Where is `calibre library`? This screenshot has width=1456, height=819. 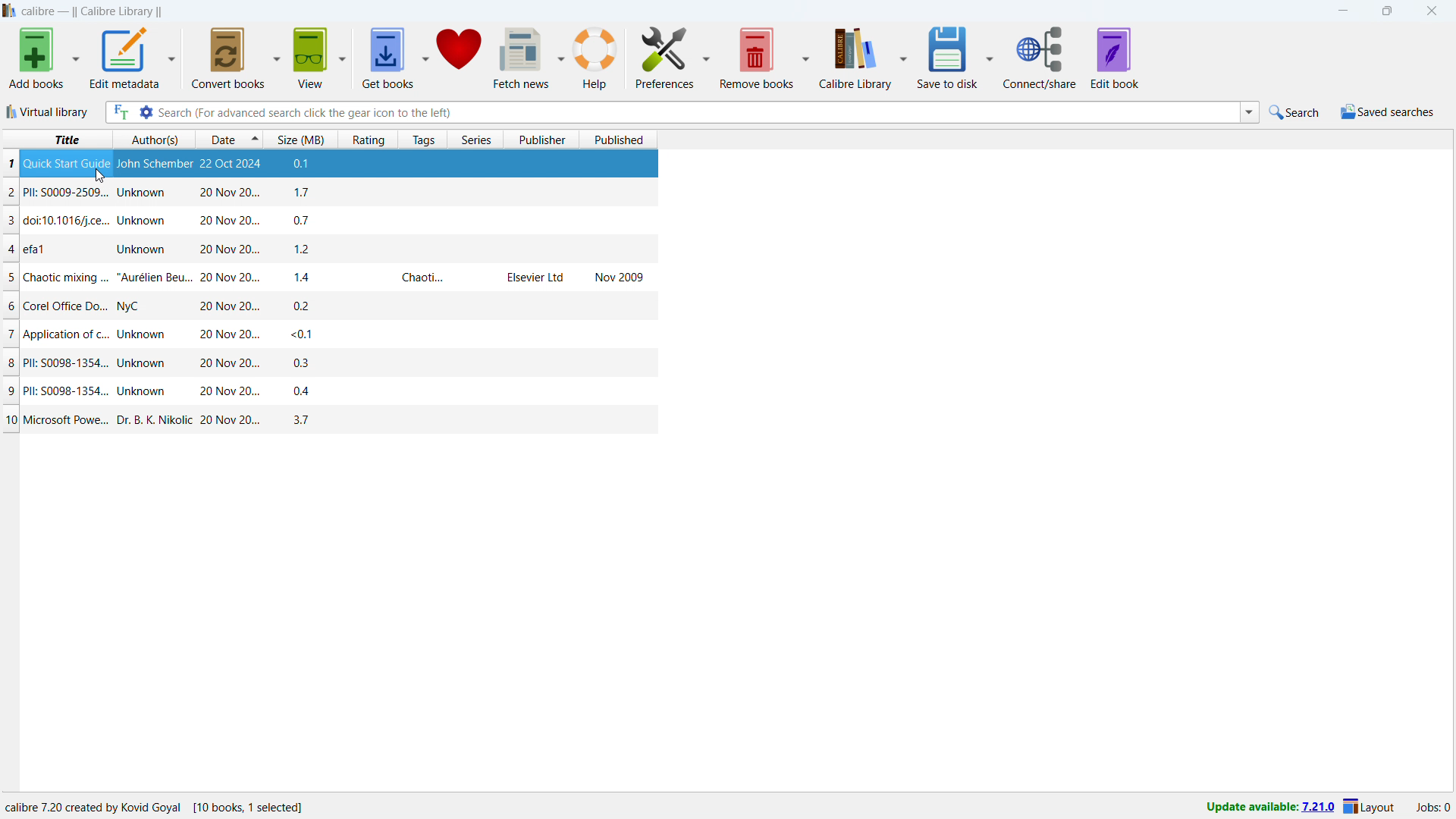
calibre library is located at coordinates (855, 58).